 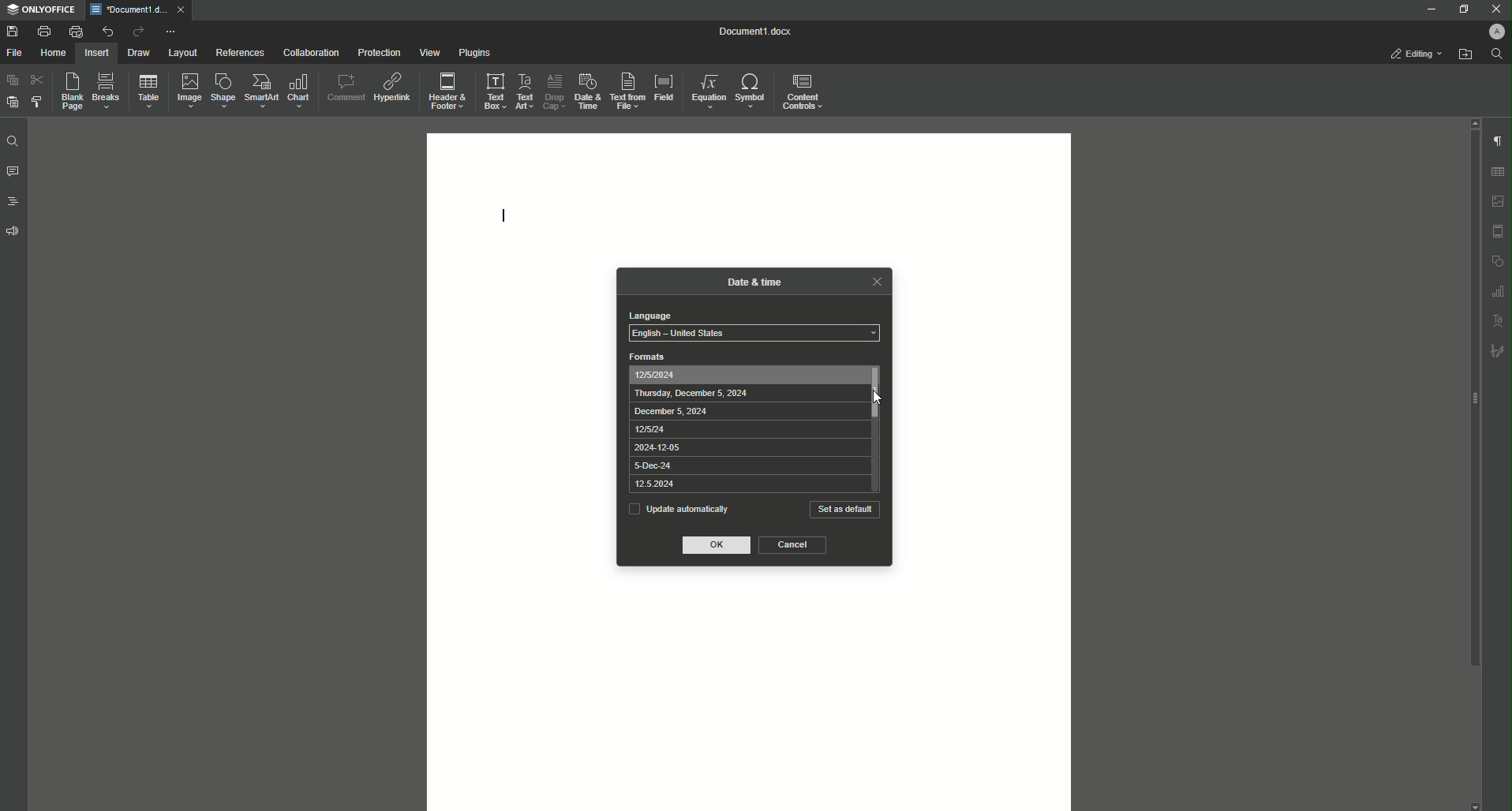 What do you see at coordinates (754, 334) in the screenshot?
I see `select language` at bounding box center [754, 334].